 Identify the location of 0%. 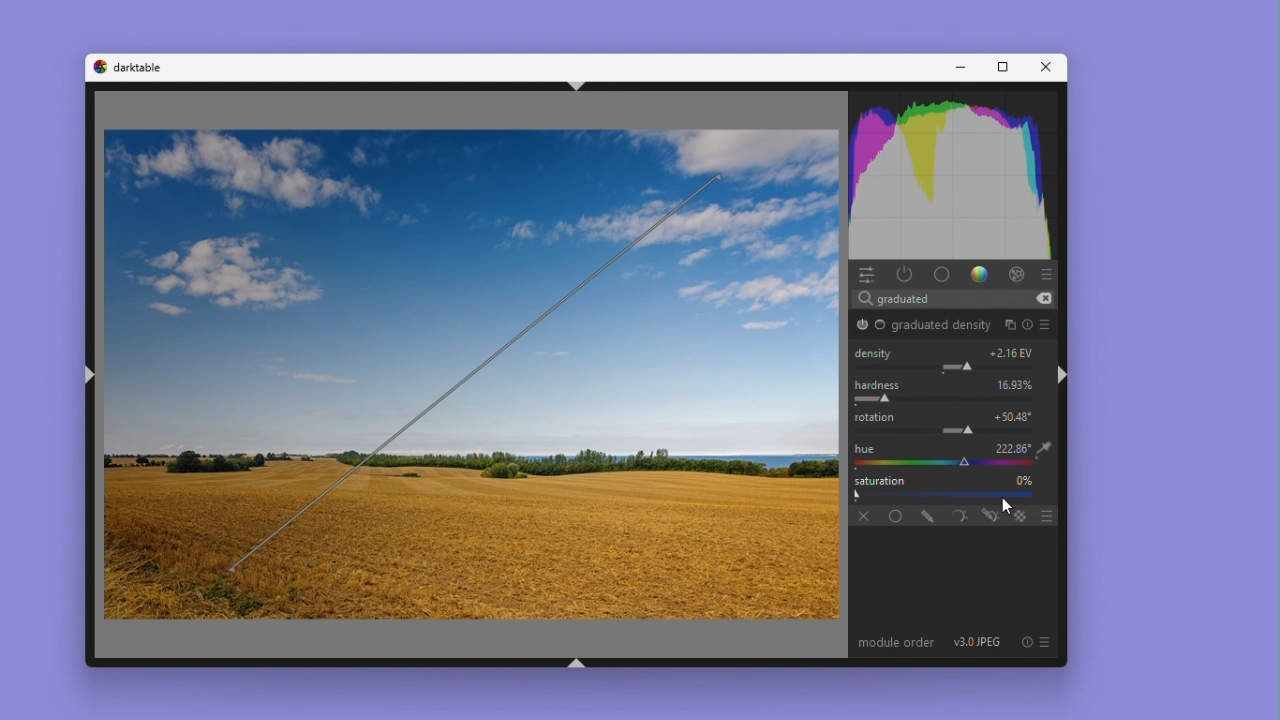
(1023, 480).